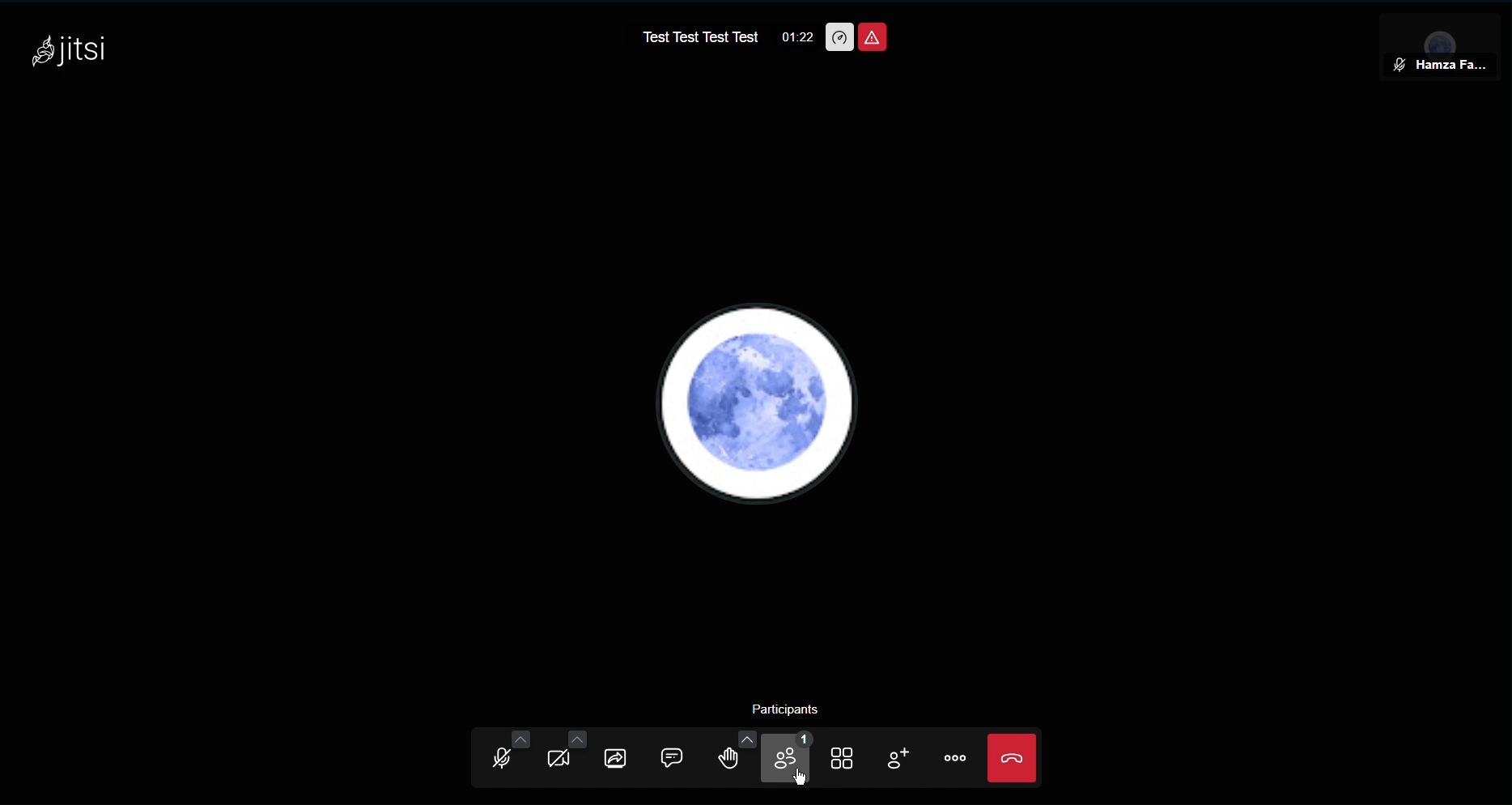  What do you see at coordinates (793, 709) in the screenshot?
I see `Participants` at bounding box center [793, 709].